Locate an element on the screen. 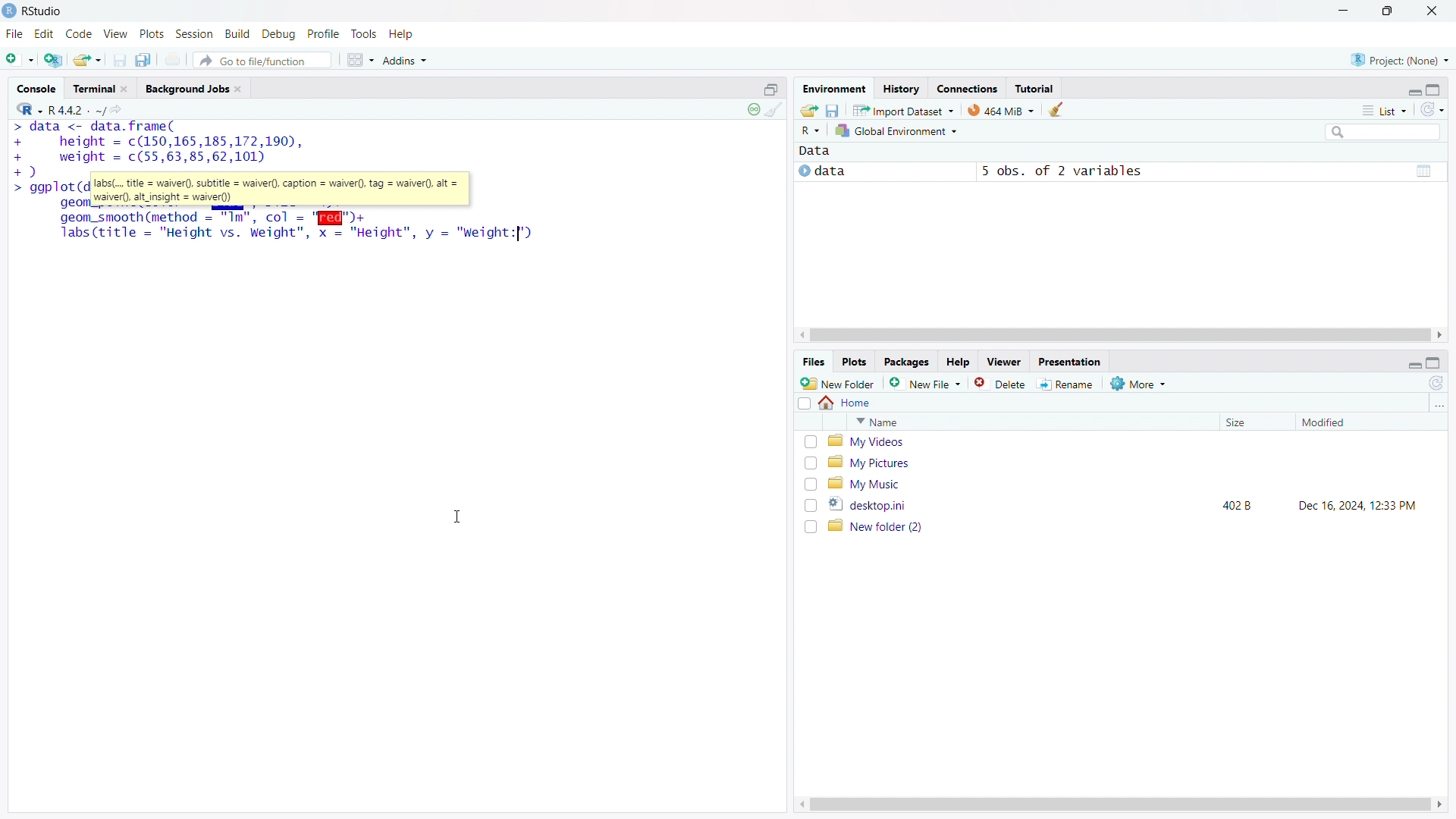 The height and width of the screenshot is (819, 1456). save is located at coordinates (120, 60).